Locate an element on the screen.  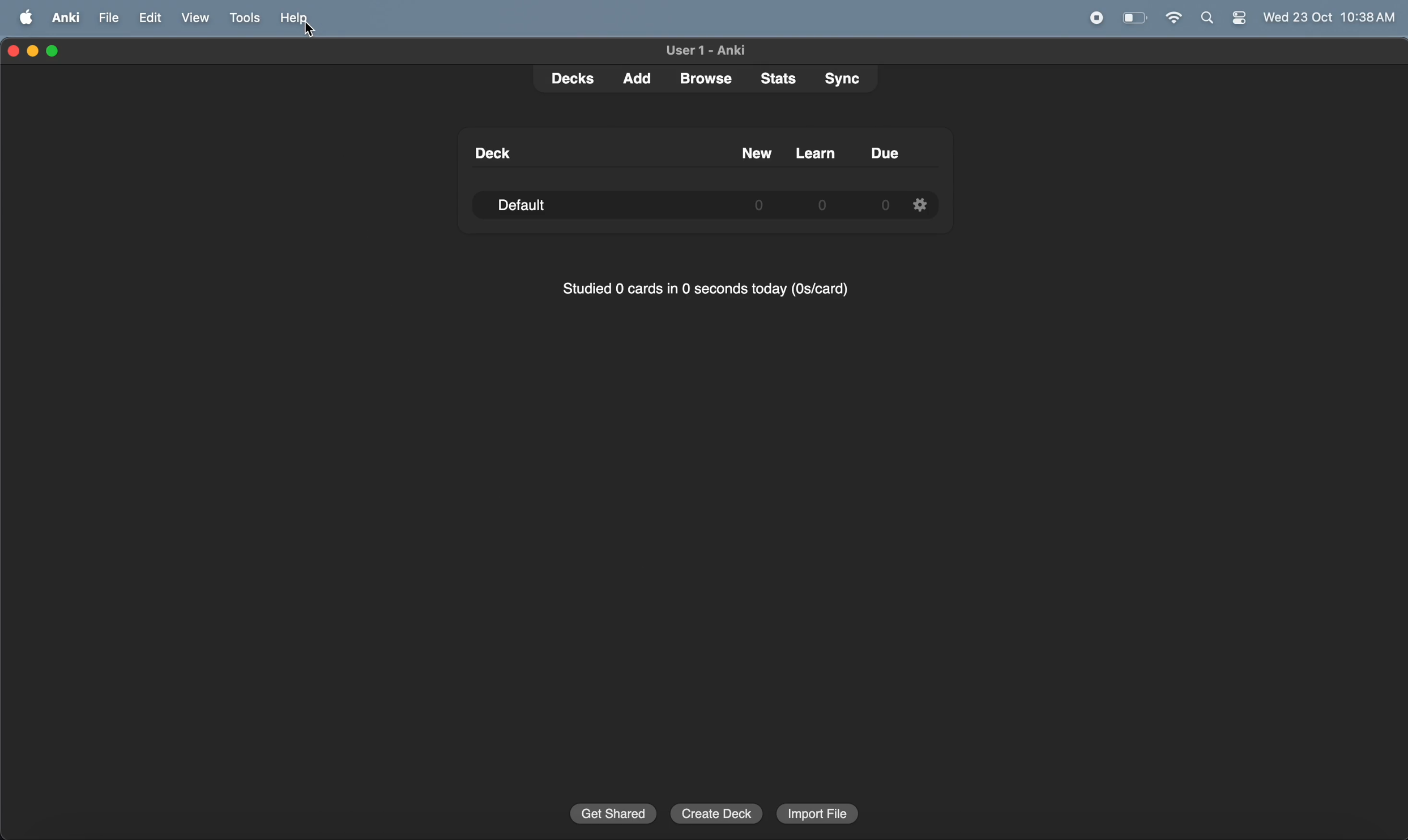
Search is located at coordinates (1207, 19).